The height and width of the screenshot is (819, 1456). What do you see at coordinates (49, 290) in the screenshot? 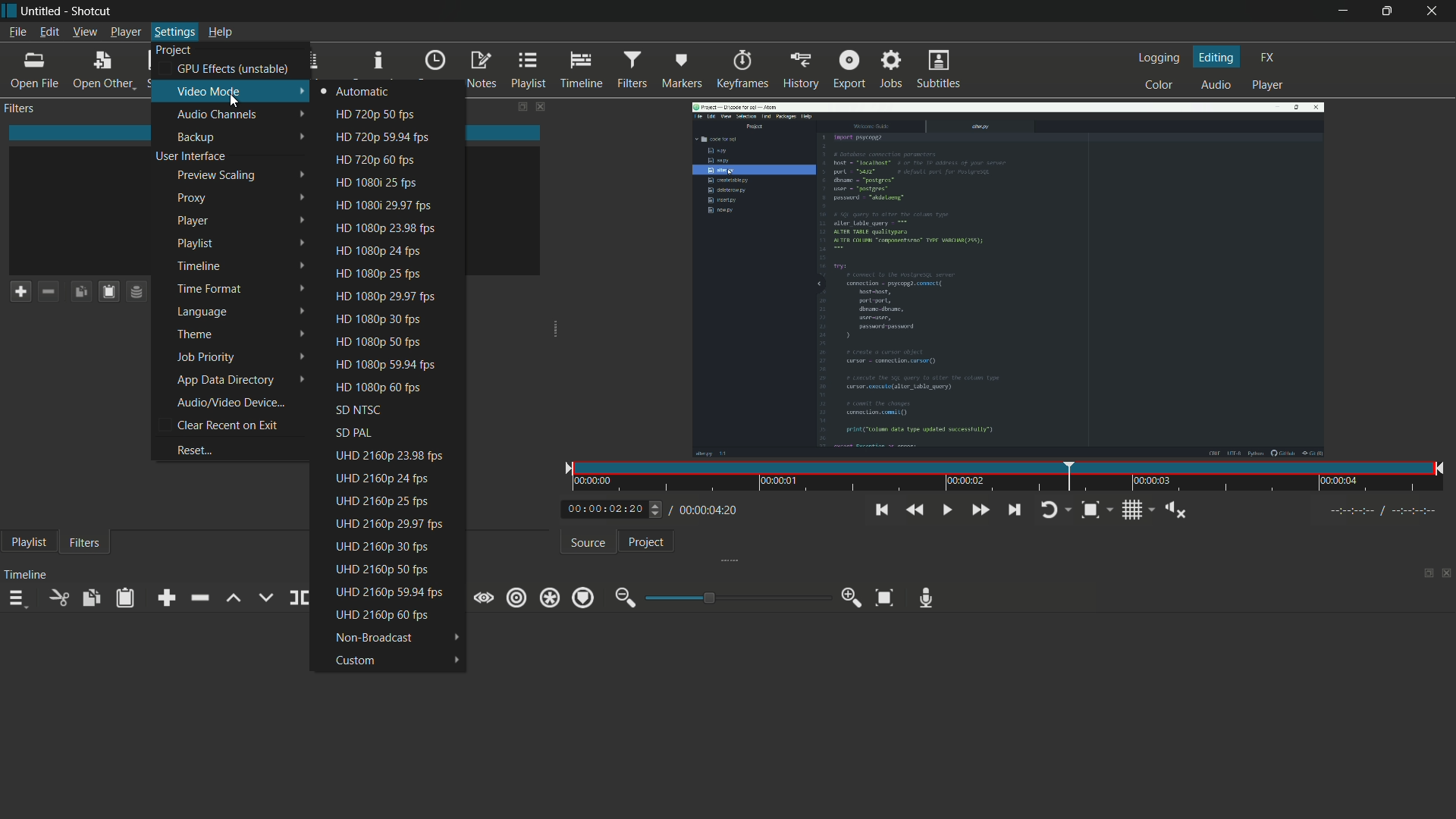
I see `remove a filter` at bounding box center [49, 290].